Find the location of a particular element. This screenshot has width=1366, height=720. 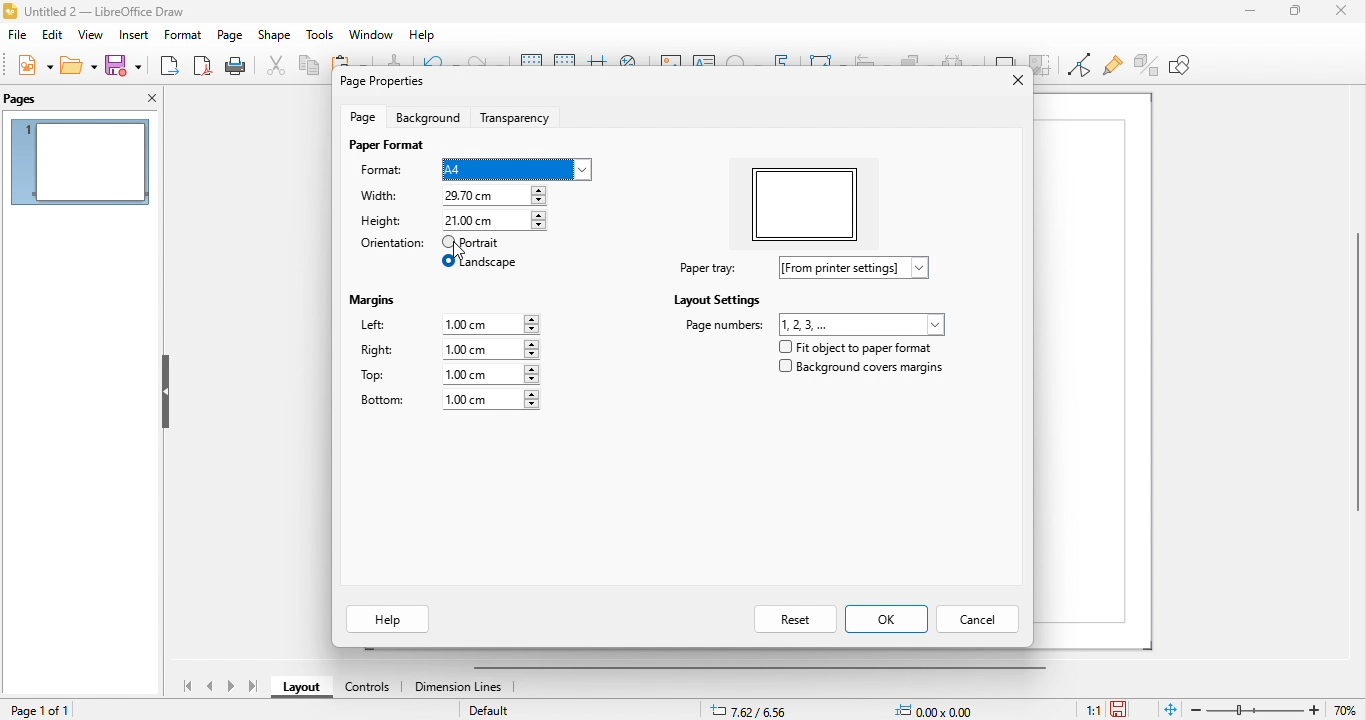

page format is located at coordinates (381, 148).